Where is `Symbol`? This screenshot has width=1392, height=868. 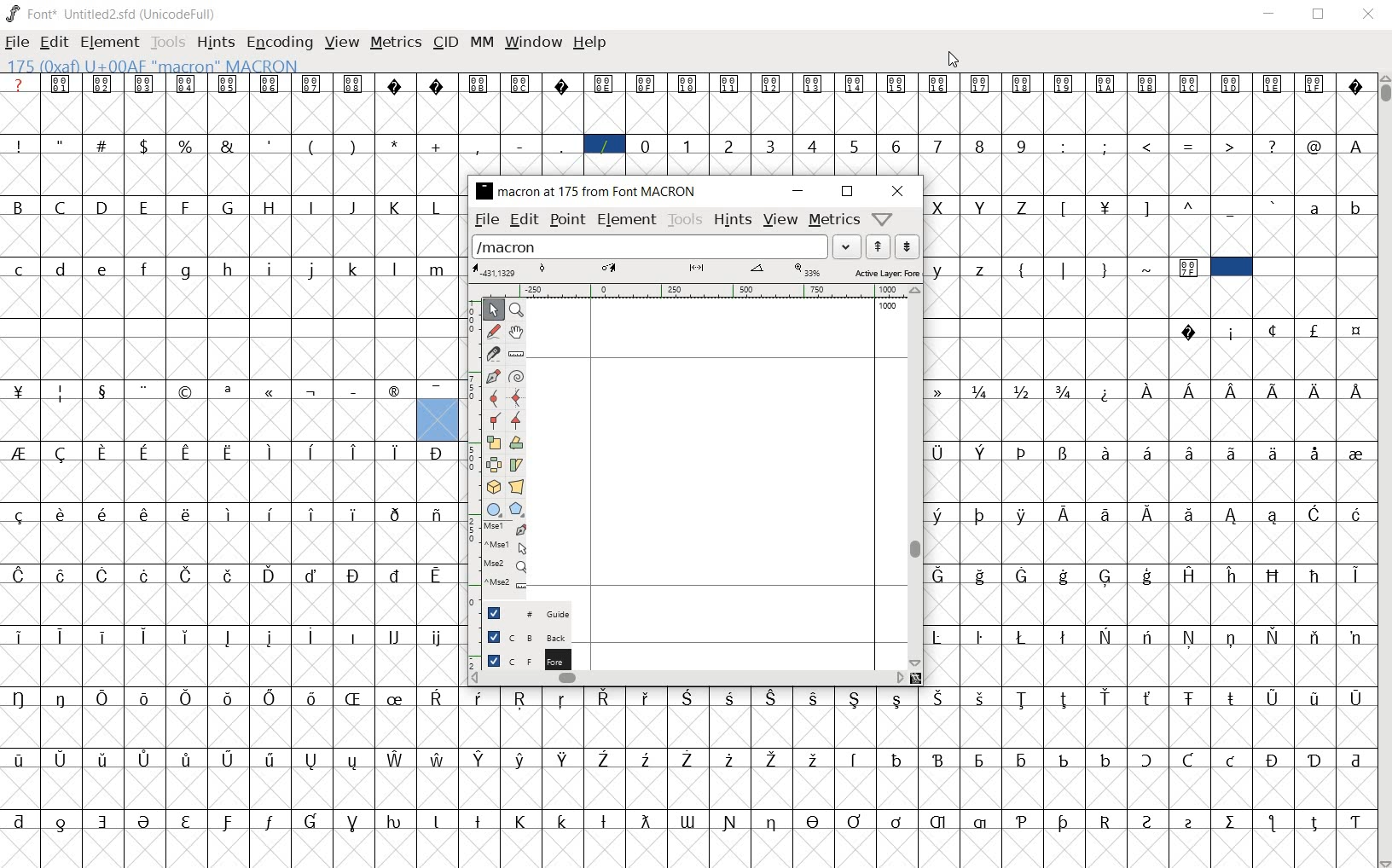 Symbol is located at coordinates (1147, 513).